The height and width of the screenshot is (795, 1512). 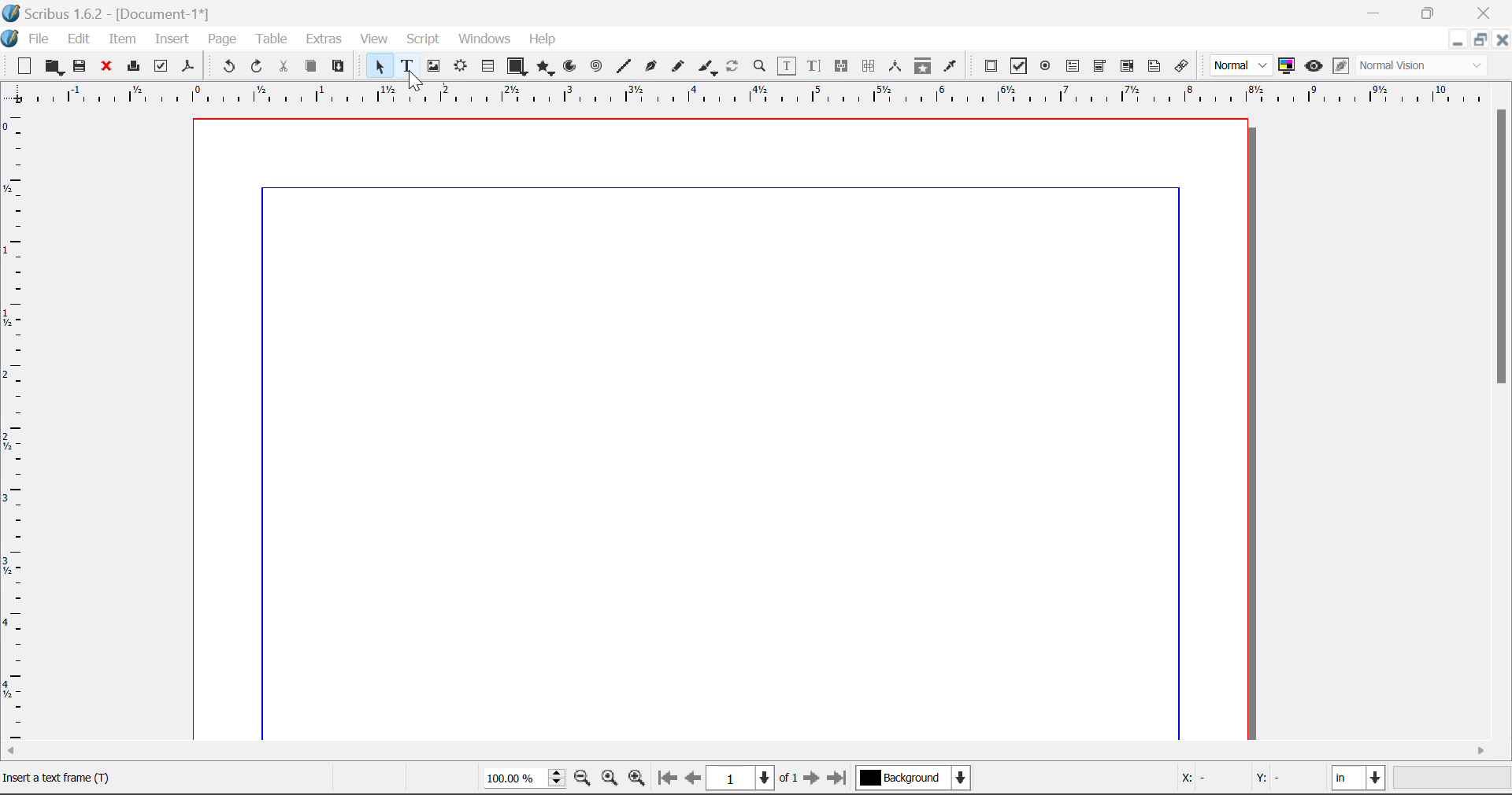 I want to click on Cursor Position, so click(x=414, y=79).